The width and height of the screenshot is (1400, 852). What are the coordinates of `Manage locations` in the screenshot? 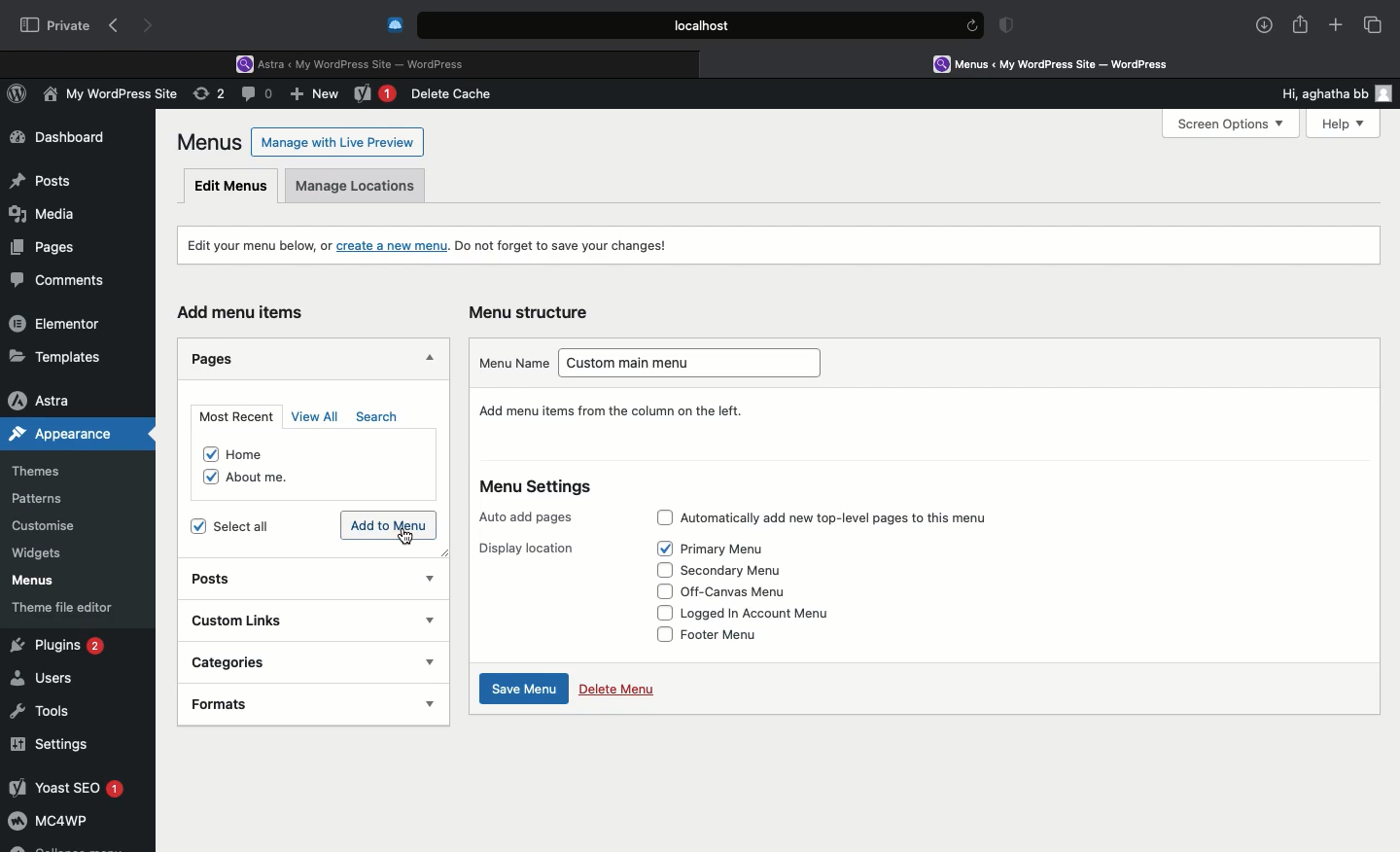 It's located at (360, 191).